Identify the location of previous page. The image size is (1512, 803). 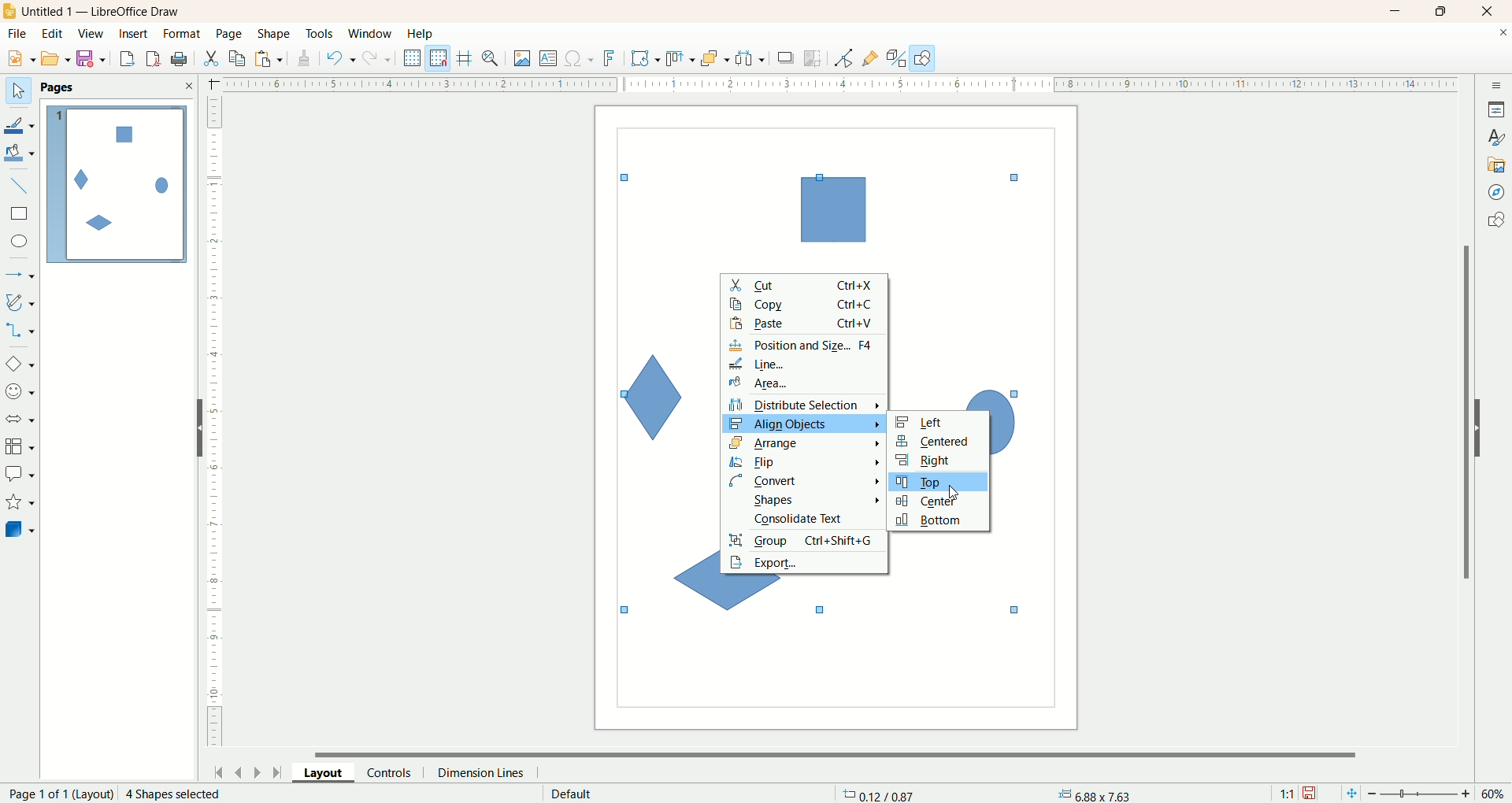
(237, 771).